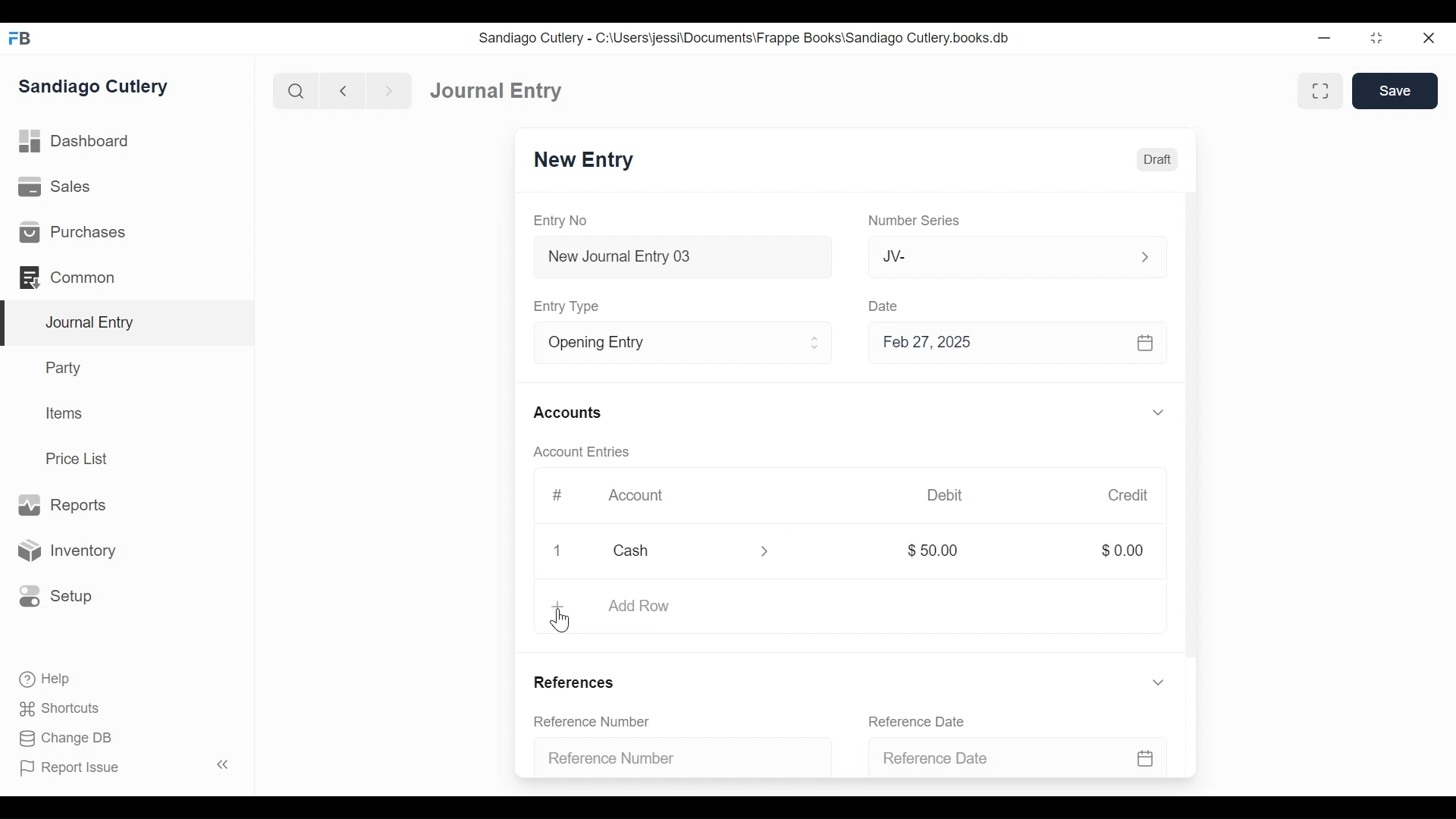  What do you see at coordinates (55, 186) in the screenshot?
I see `Sales` at bounding box center [55, 186].